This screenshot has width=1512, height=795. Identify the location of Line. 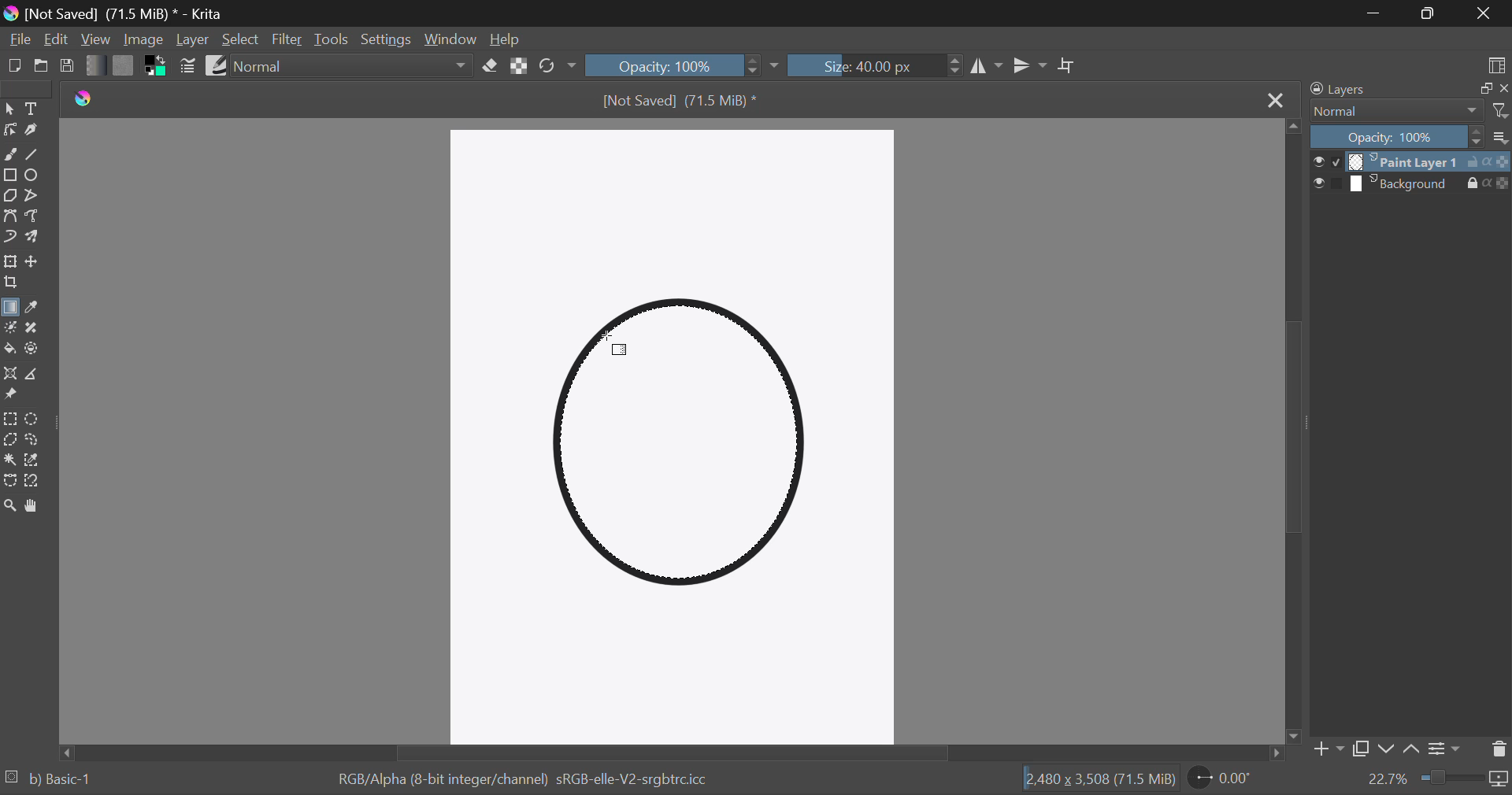
(34, 155).